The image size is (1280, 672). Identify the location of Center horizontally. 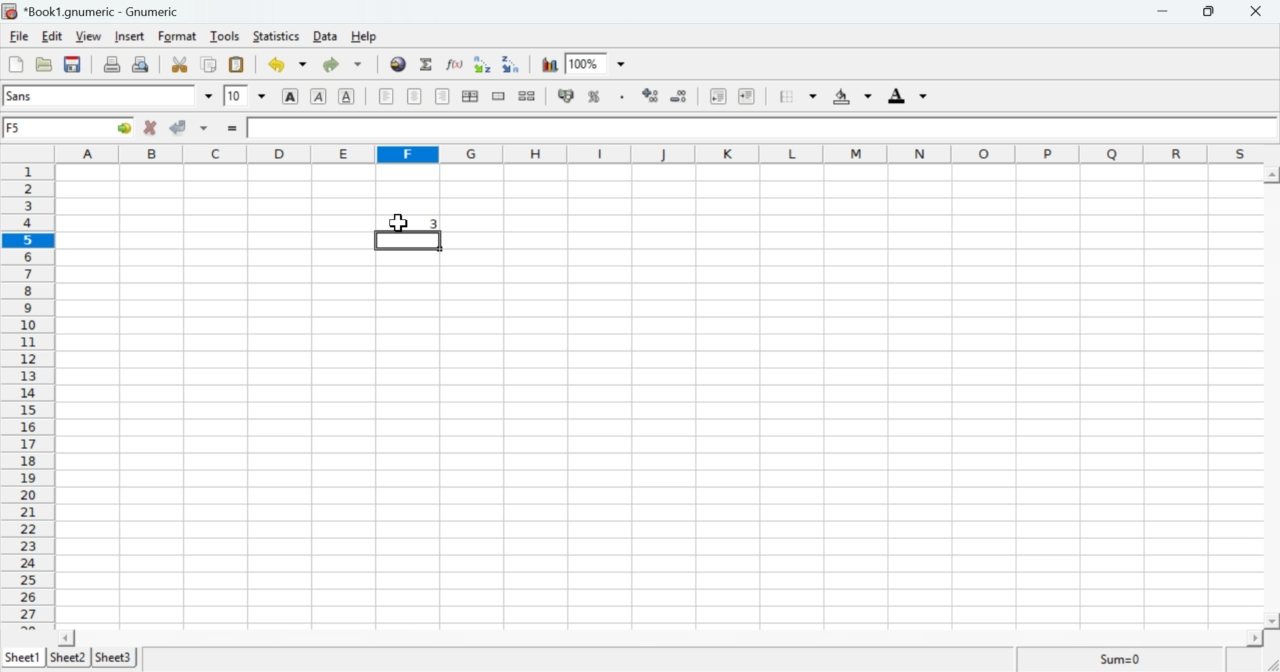
(415, 96).